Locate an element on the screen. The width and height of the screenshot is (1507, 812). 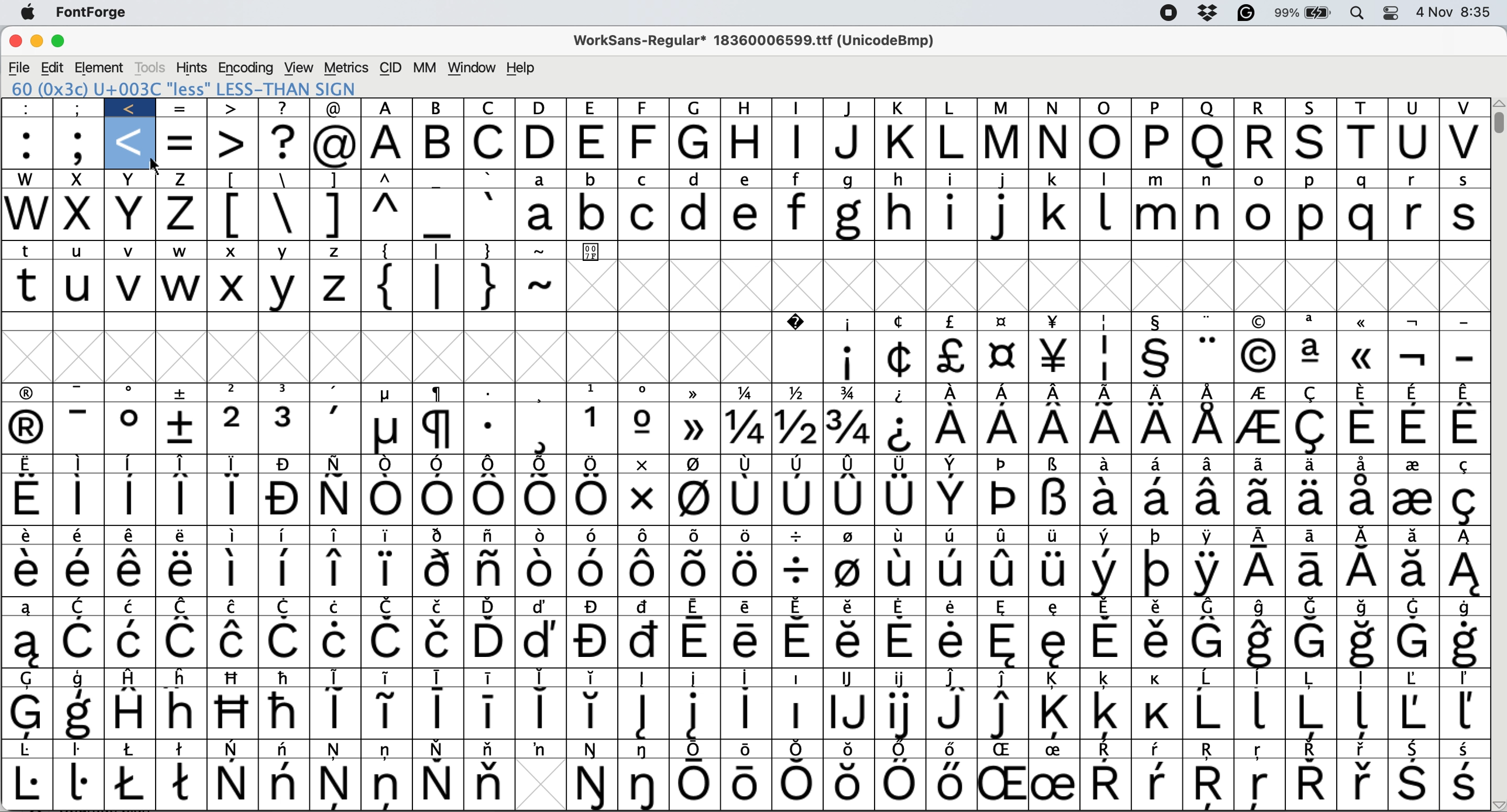
symbol is located at coordinates (849, 642).